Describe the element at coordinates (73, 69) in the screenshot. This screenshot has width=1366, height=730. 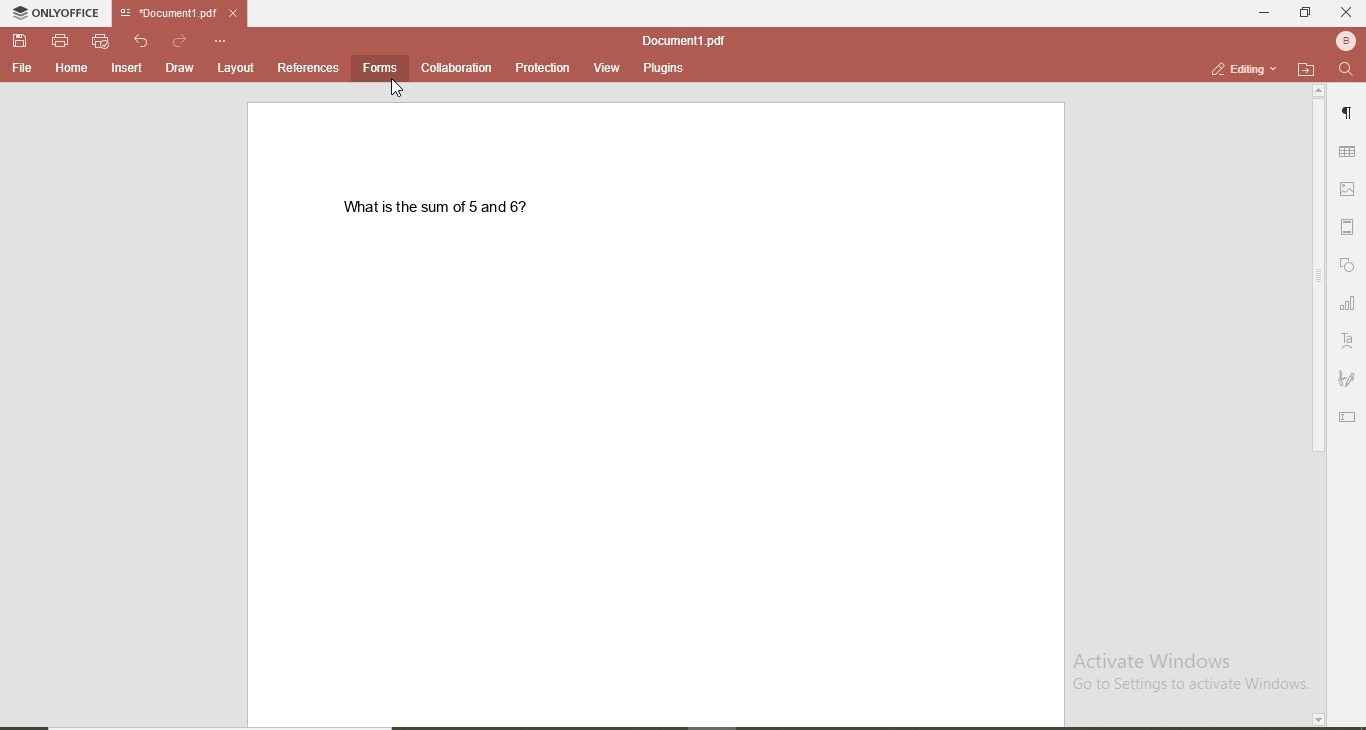
I see `home` at that location.